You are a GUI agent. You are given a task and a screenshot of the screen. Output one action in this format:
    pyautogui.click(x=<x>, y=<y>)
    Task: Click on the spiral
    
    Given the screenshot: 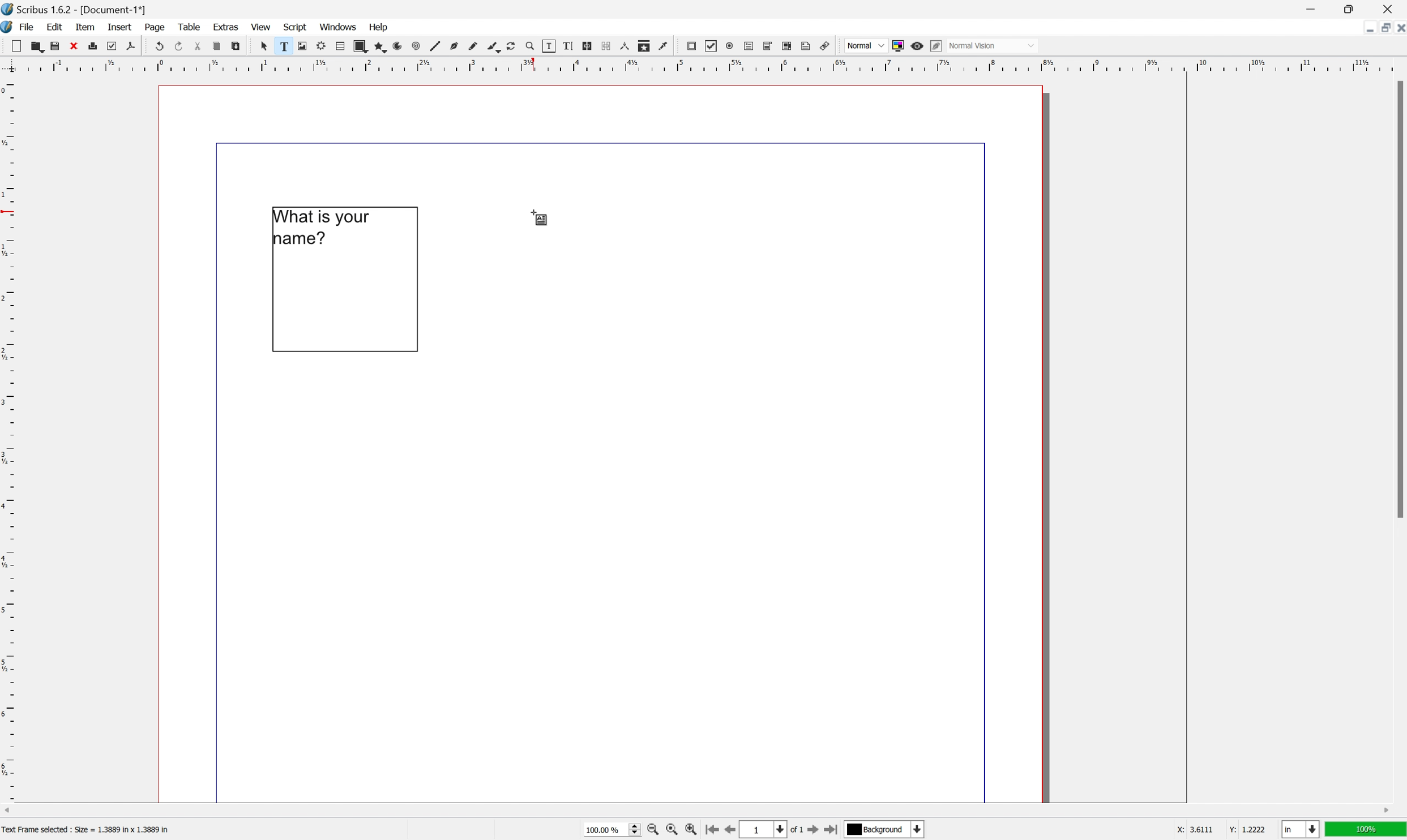 What is the action you would take?
    pyautogui.click(x=401, y=46)
    